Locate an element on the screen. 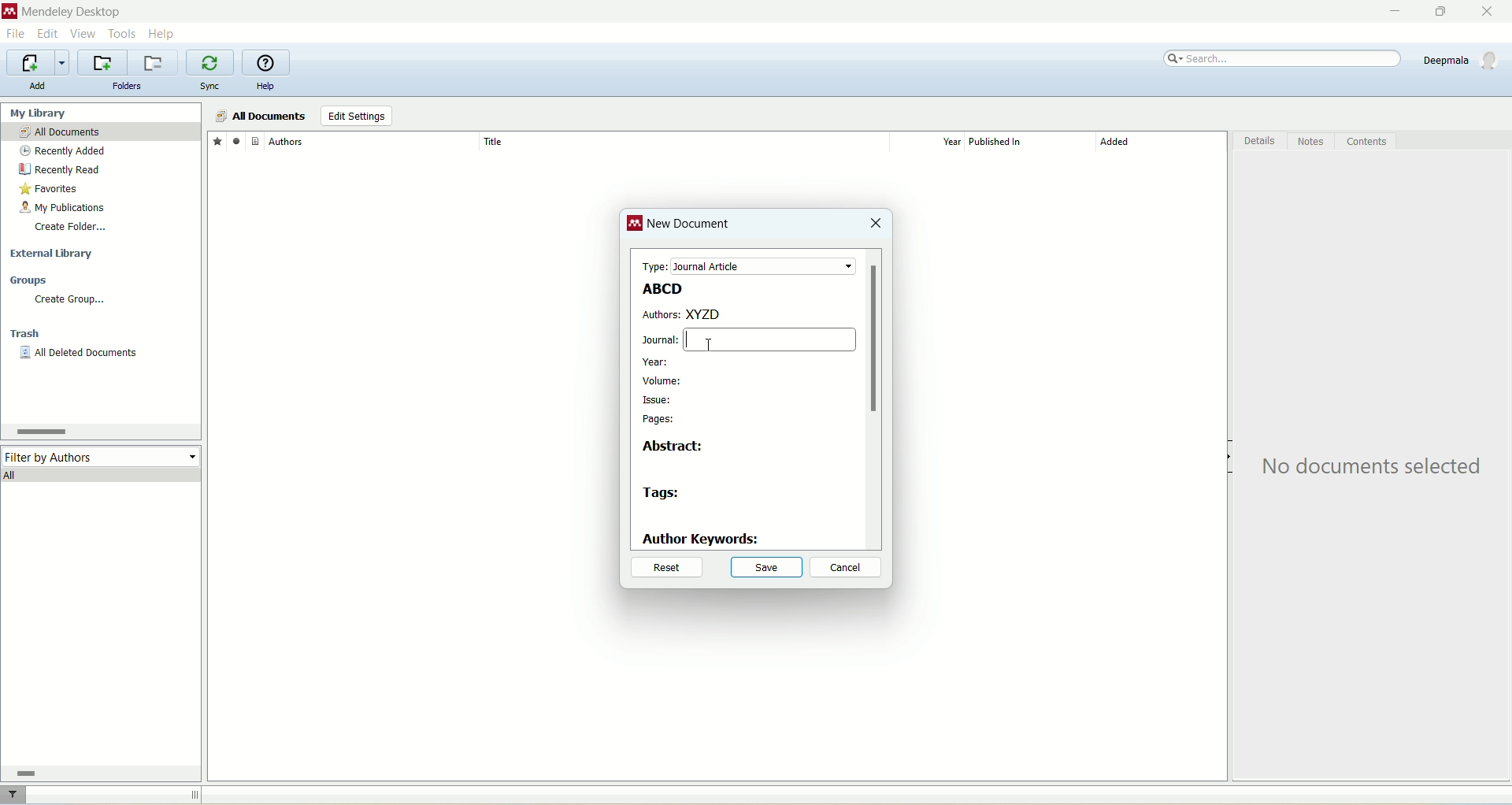  favorites is located at coordinates (217, 140).